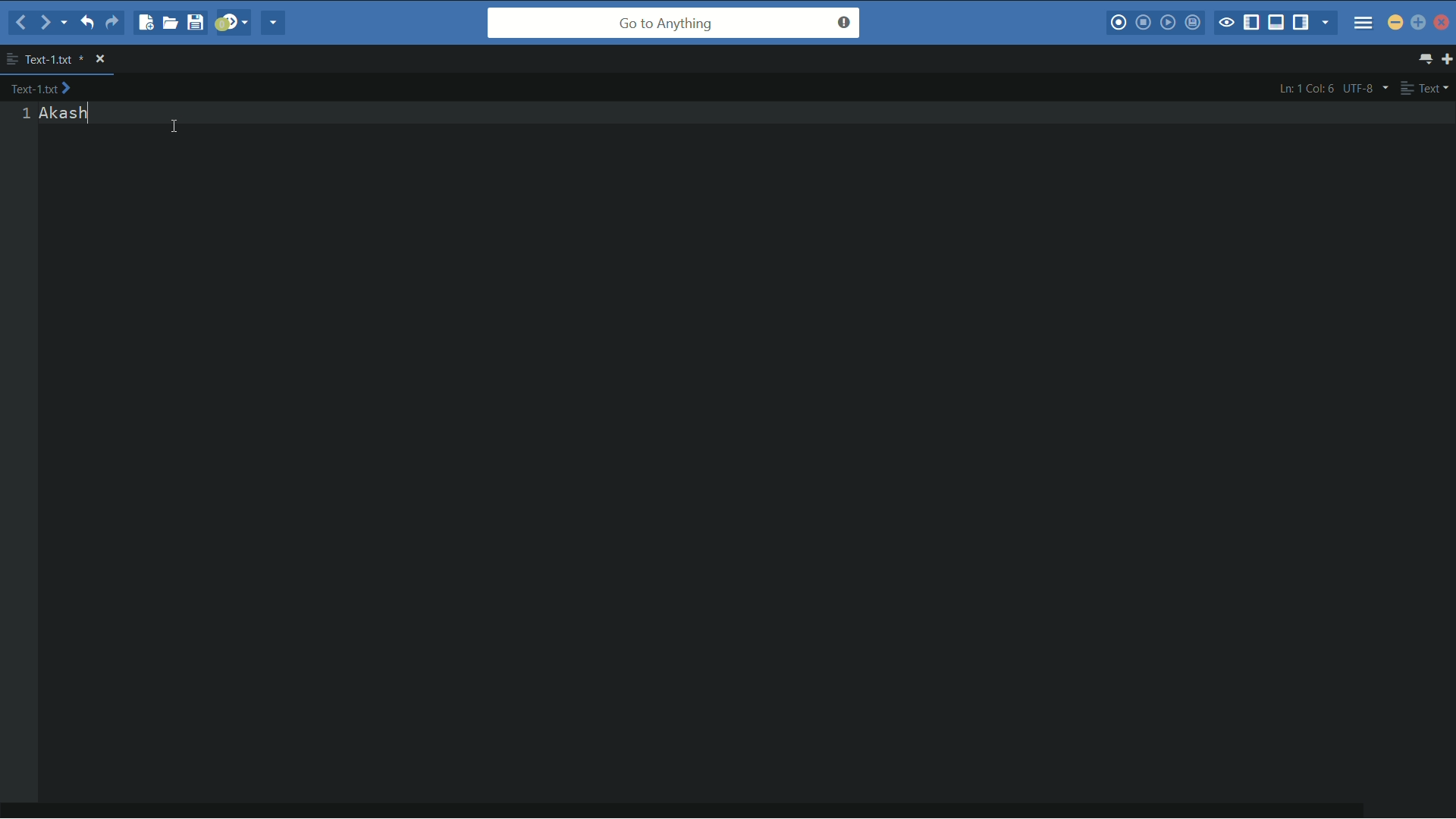  I want to click on line encoding, so click(1367, 89).